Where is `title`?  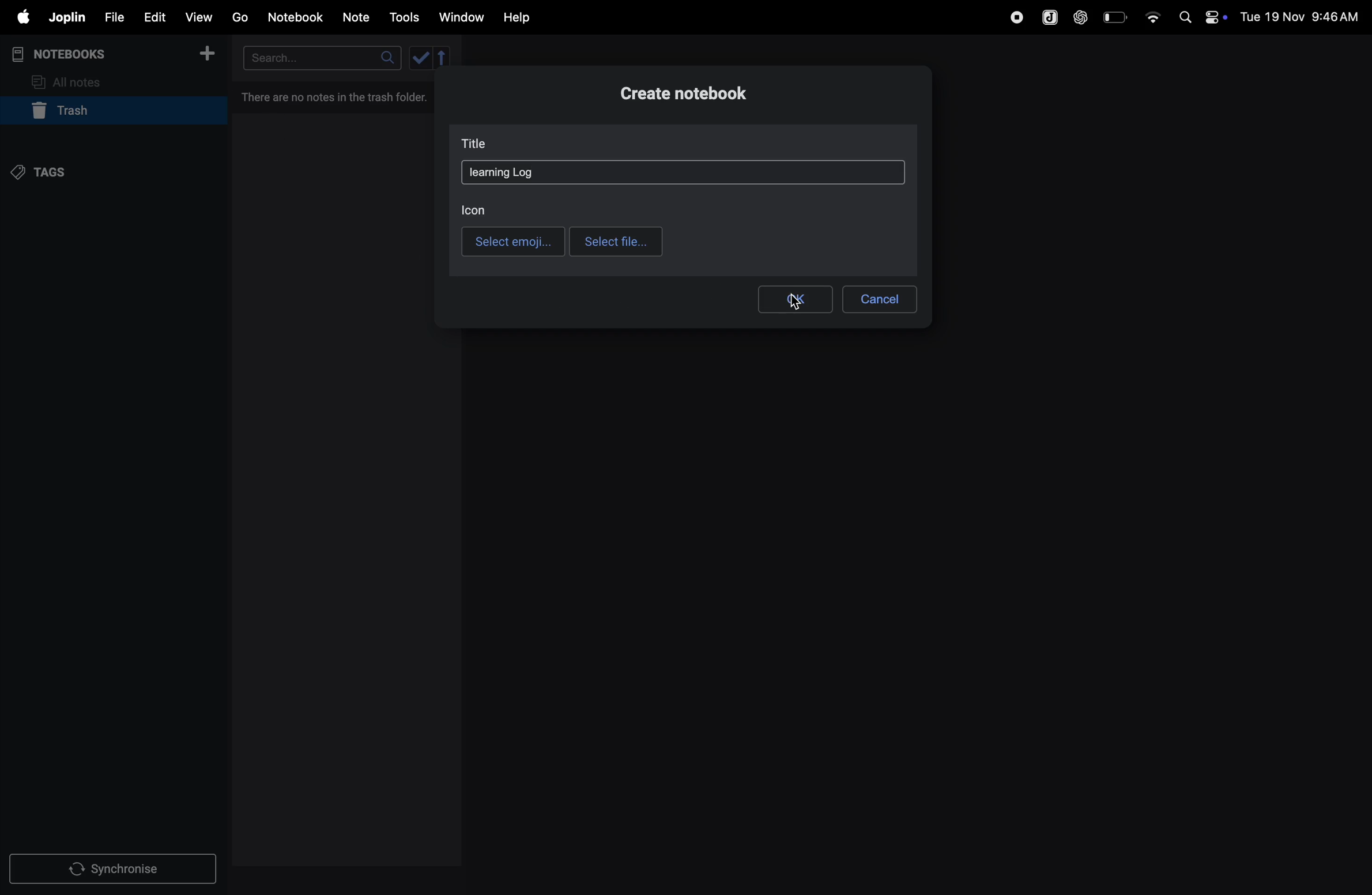
title is located at coordinates (479, 145).